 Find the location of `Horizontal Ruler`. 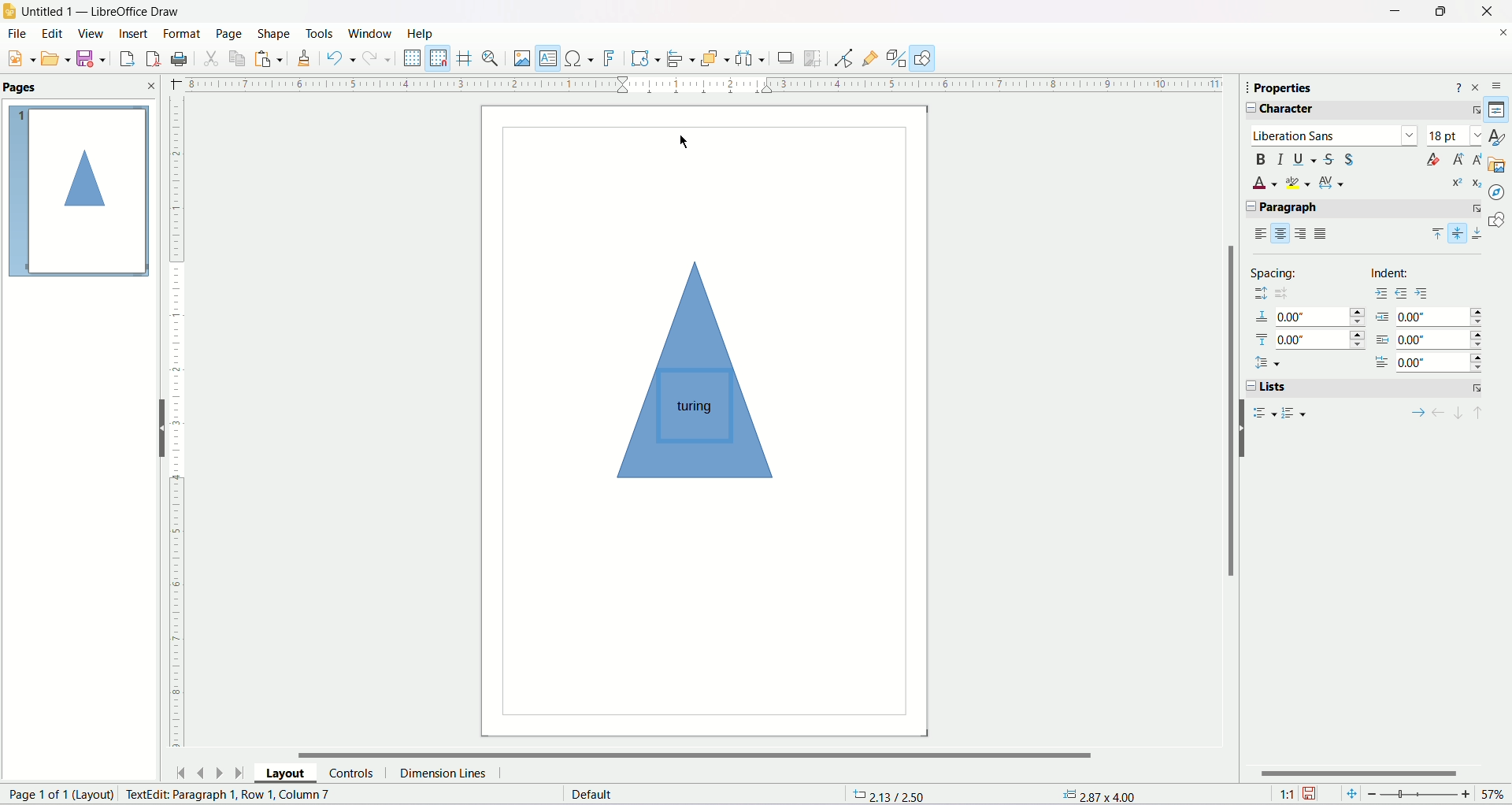

Horizontal Ruler is located at coordinates (720, 83).